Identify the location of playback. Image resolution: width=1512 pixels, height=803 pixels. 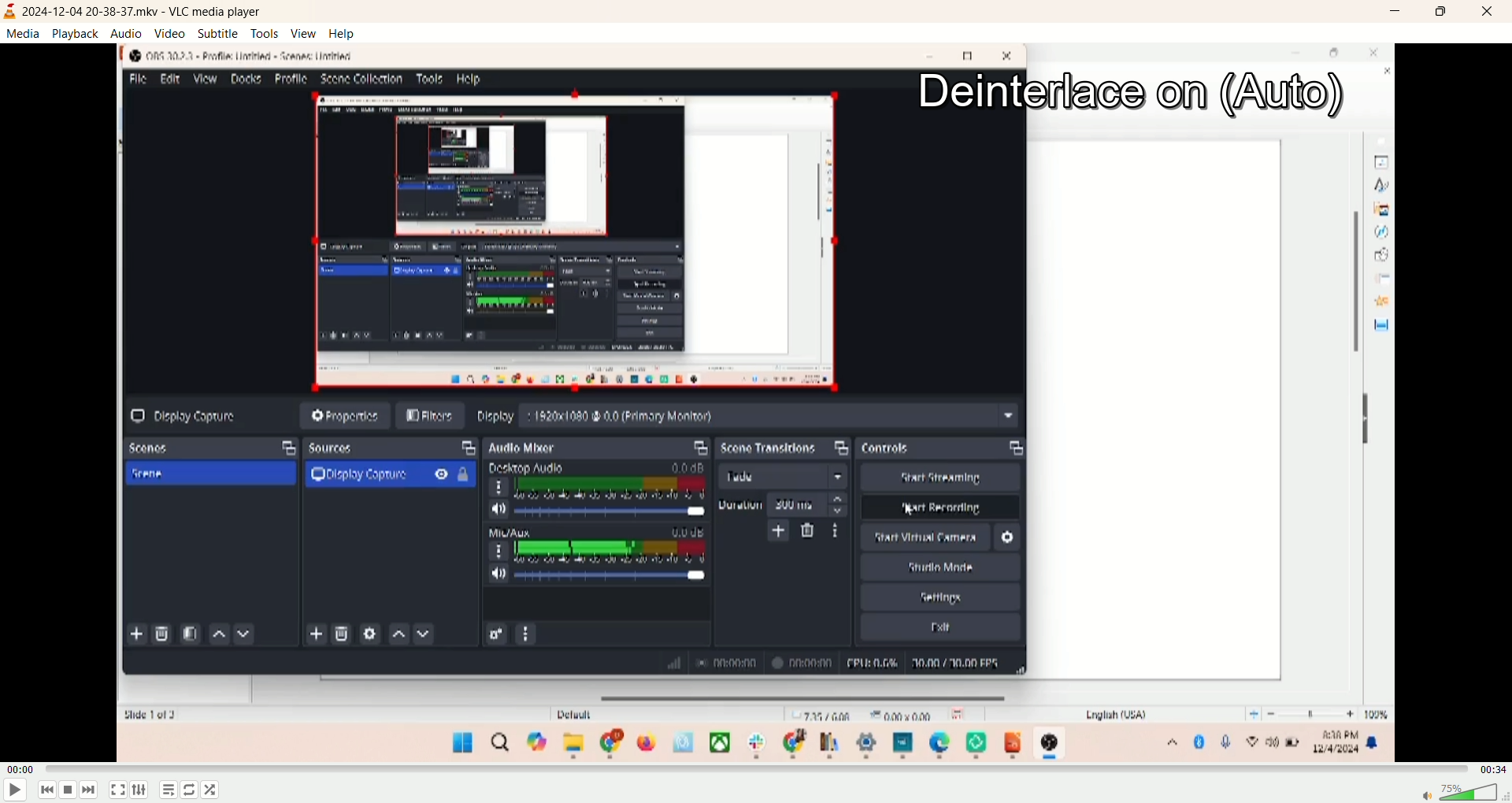
(76, 34).